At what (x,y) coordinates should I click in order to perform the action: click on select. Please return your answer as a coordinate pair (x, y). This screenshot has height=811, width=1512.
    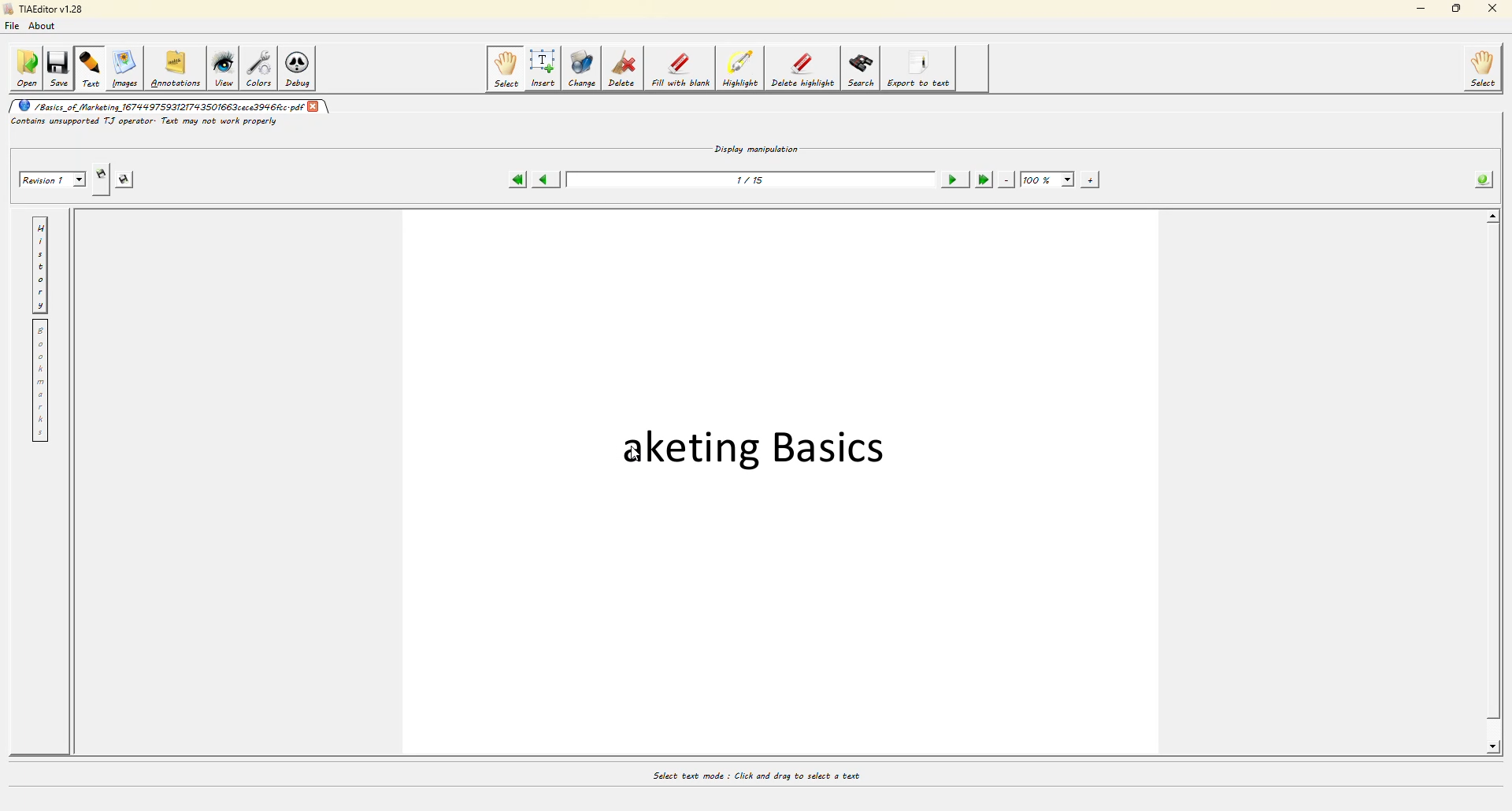
    Looking at the image, I should click on (506, 69).